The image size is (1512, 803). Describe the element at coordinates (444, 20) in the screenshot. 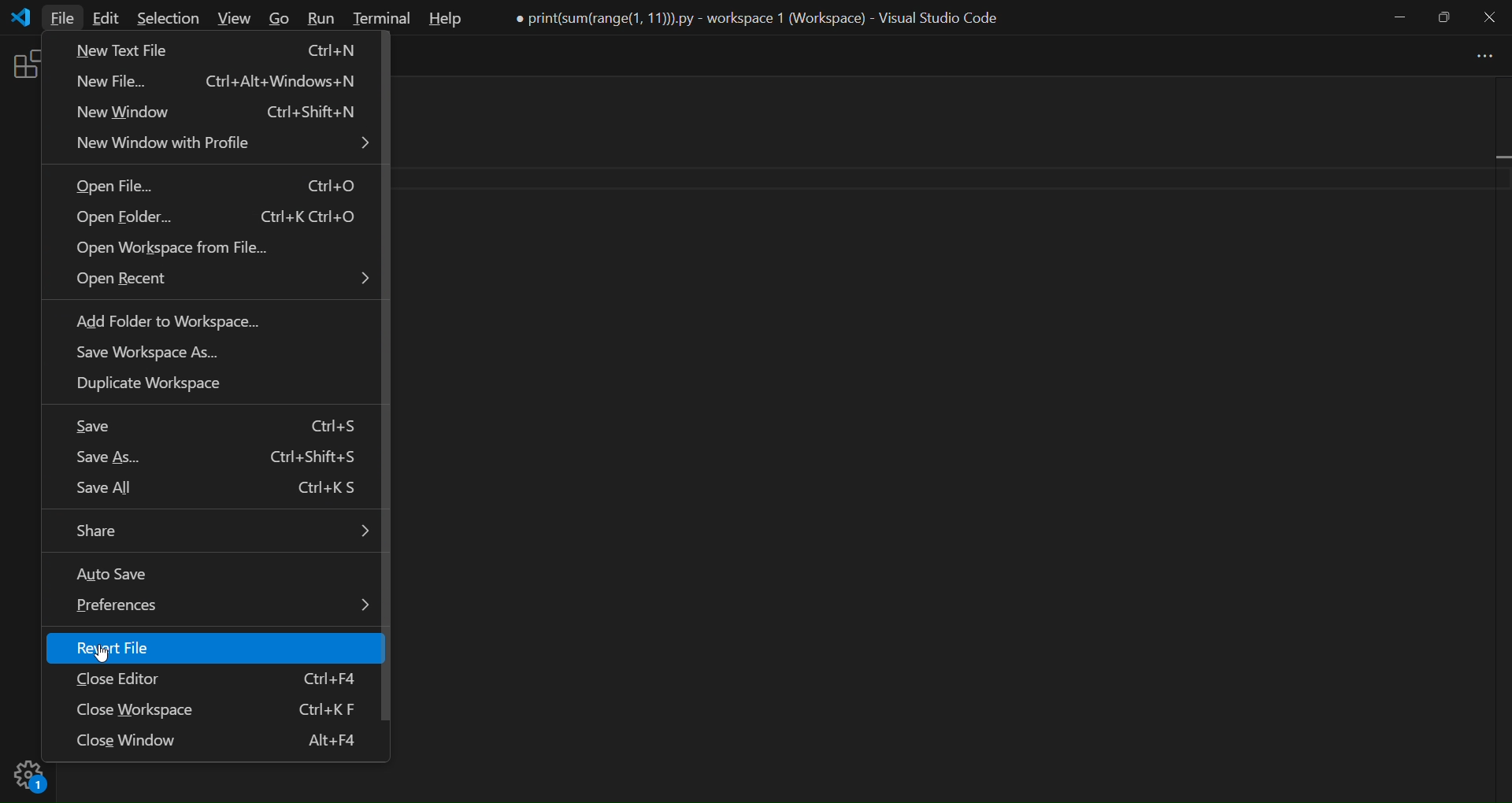

I see `Help` at that location.